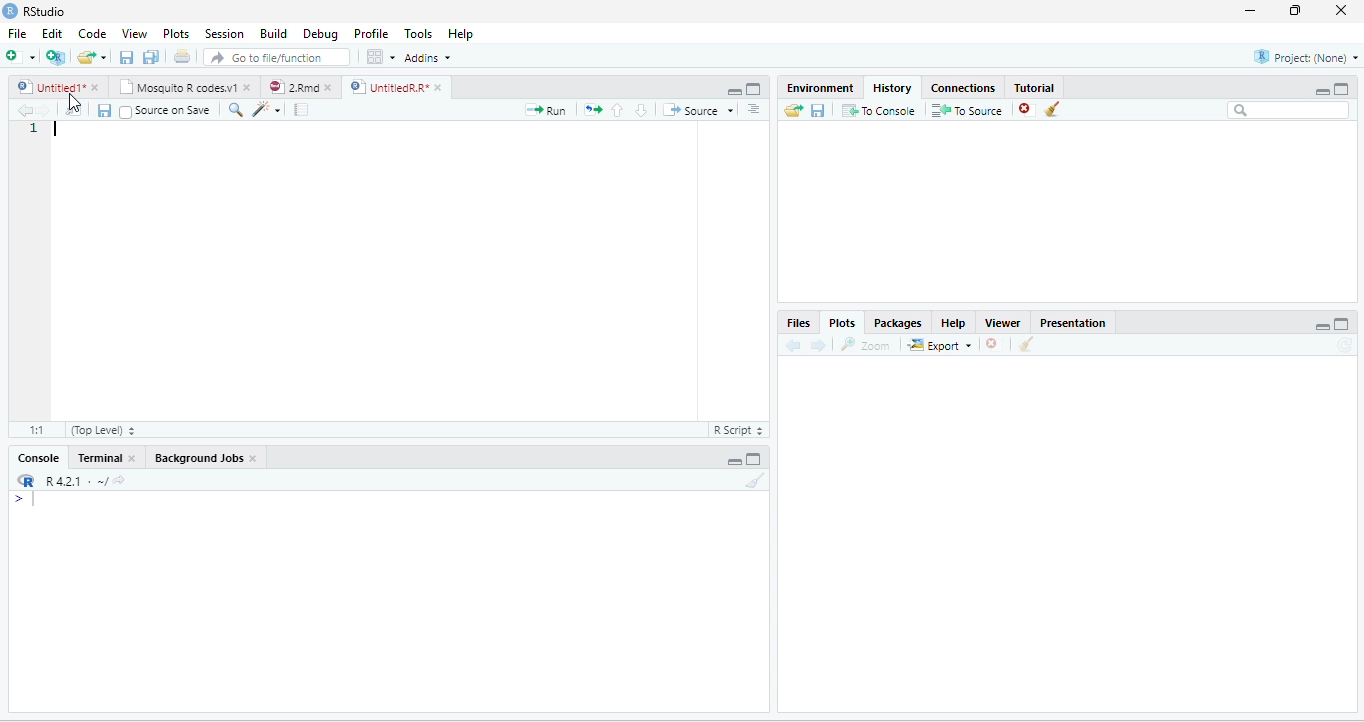  I want to click on Plots, so click(842, 321).